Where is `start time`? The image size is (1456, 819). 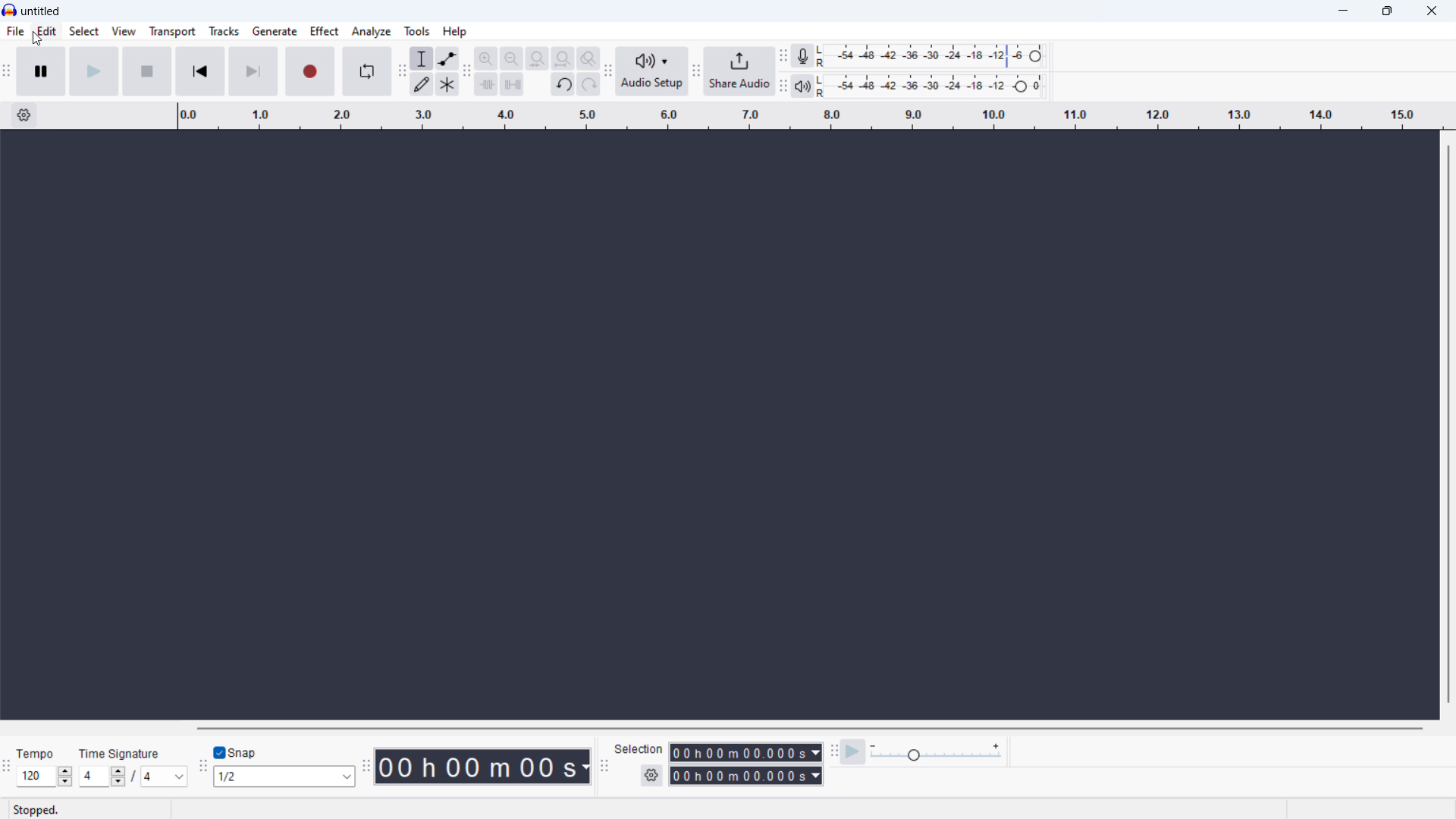 start time is located at coordinates (745, 752).